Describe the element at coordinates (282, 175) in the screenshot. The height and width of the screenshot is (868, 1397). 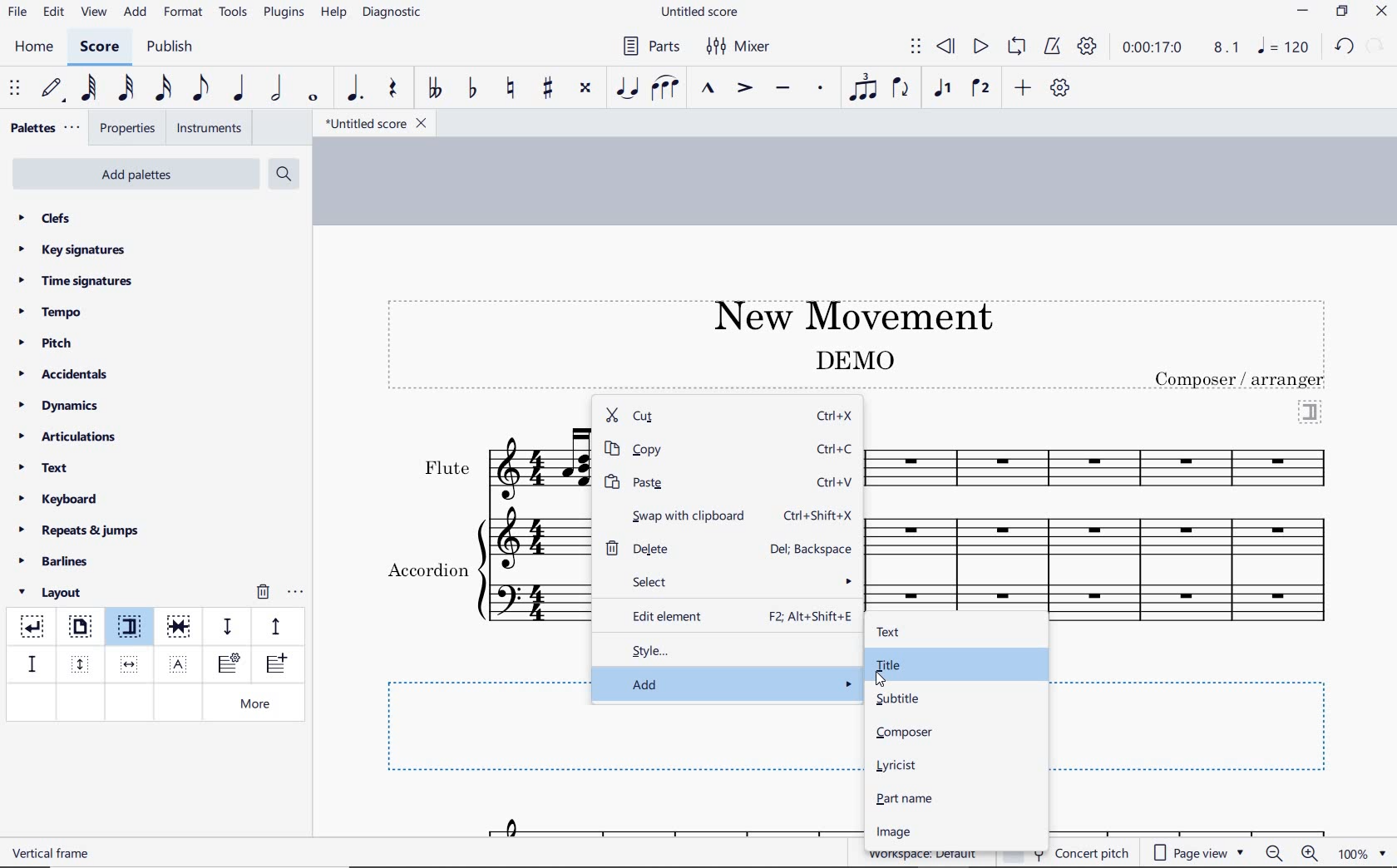
I see `search palettes` at that location.